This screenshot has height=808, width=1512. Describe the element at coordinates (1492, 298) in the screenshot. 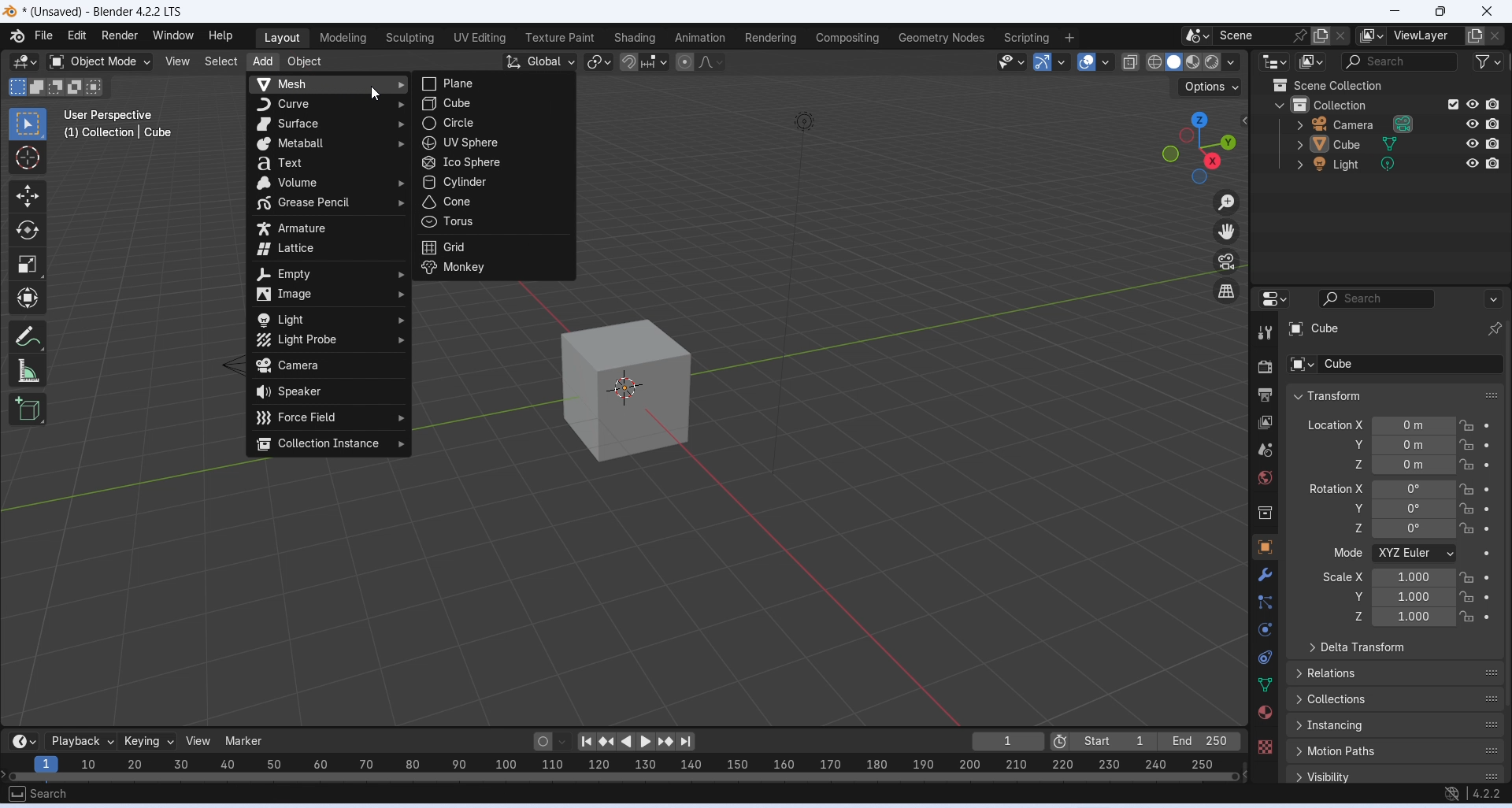

I see `options` at that location.